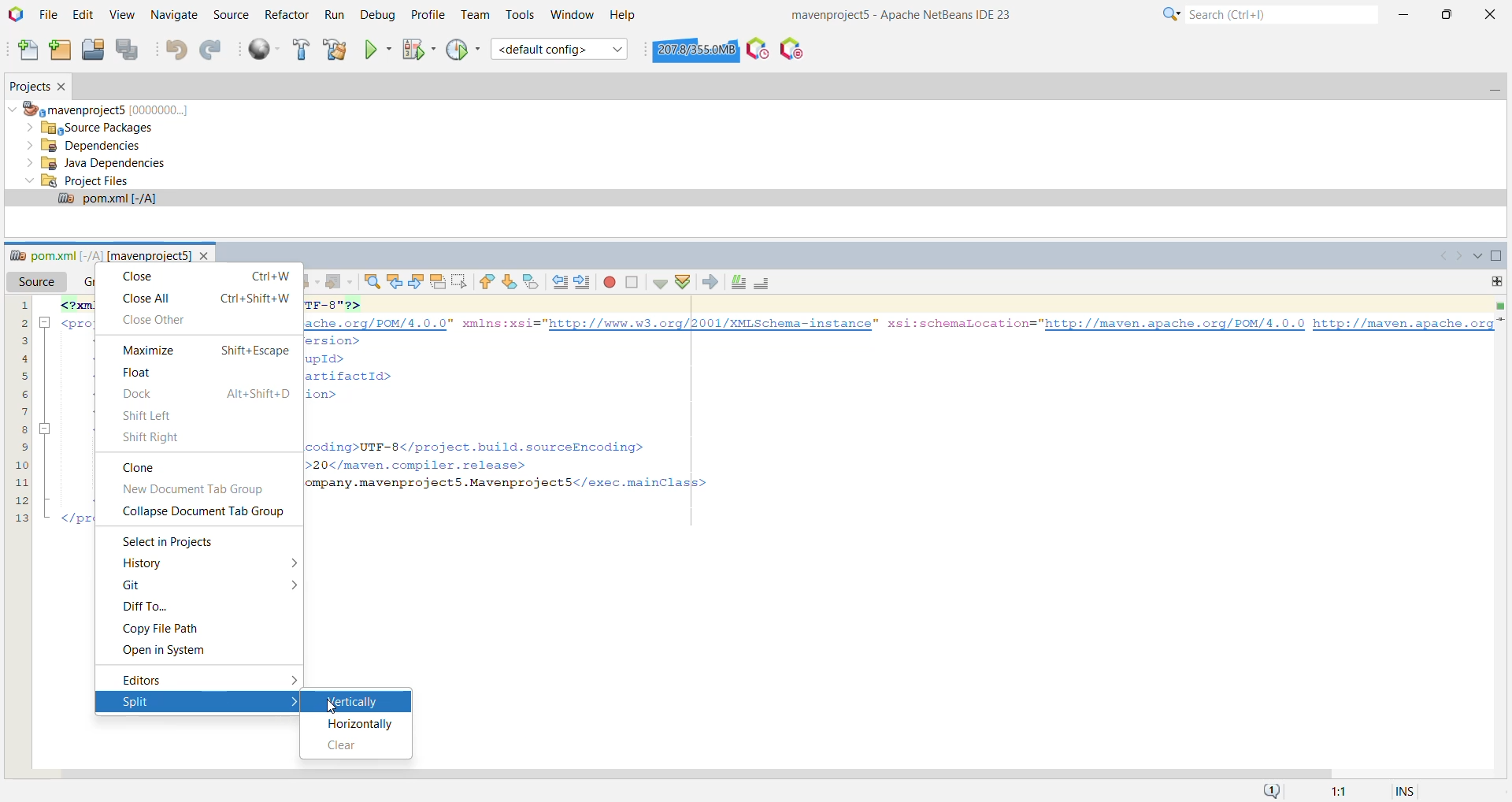 The width and height of the screenshot is (1512, 802). What do you see at coordinates (20, 518) in the screenshot?
I see `13` at bounding box center [20, 518].